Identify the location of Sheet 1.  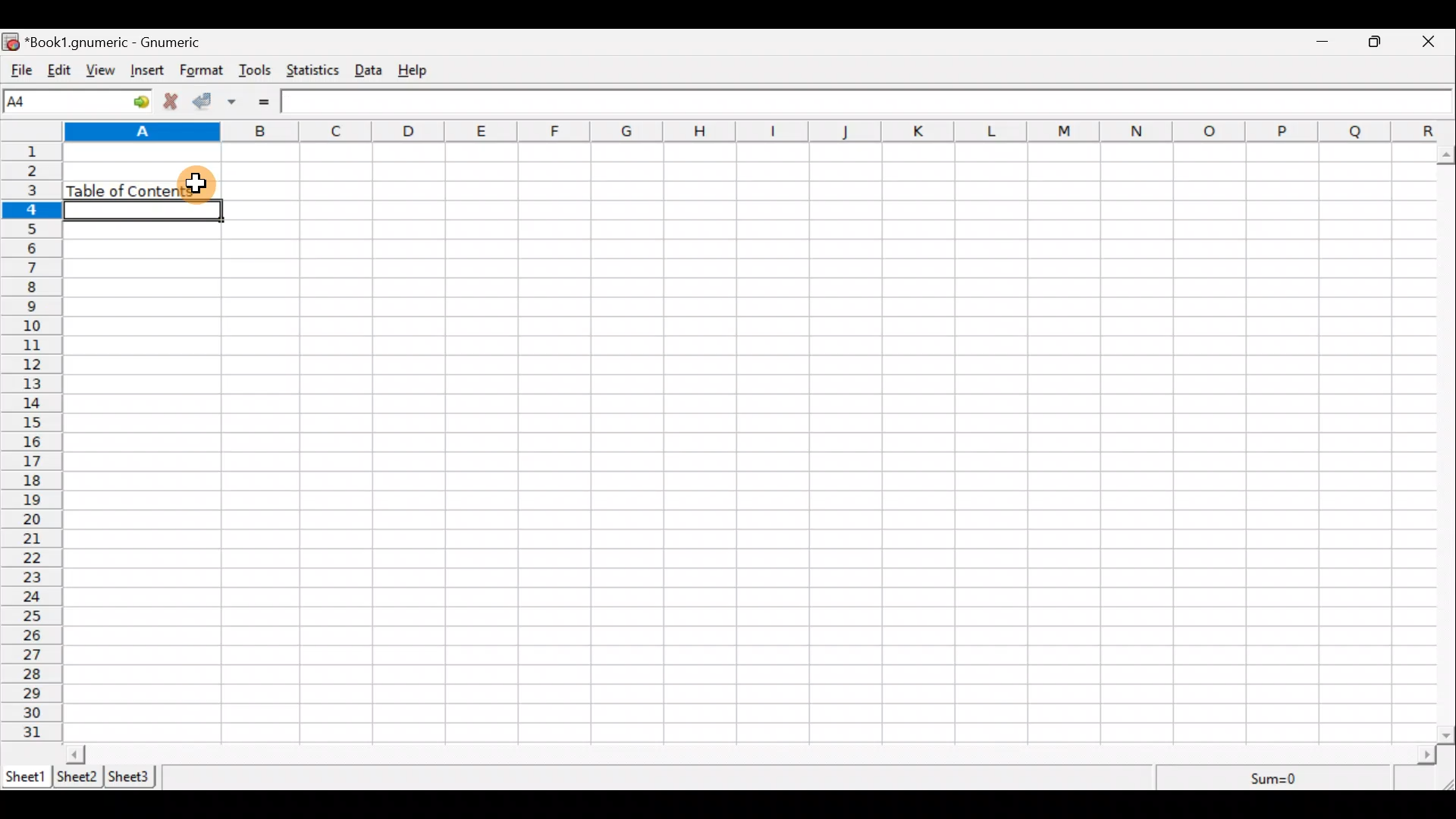
(26, 775).